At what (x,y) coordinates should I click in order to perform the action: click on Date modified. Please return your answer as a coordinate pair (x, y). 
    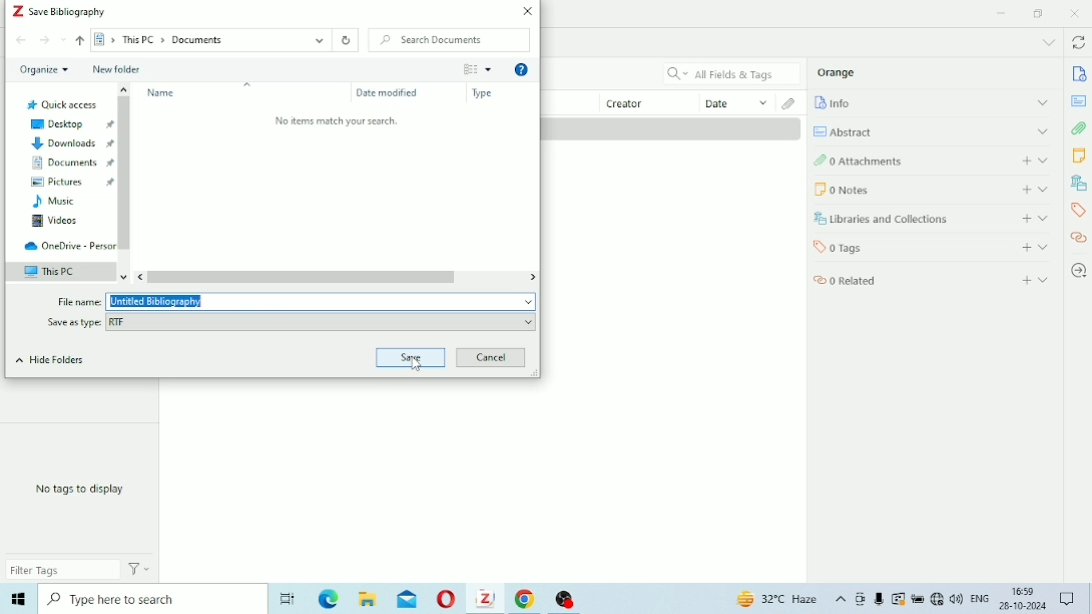
    Looking at the image, I should click on (388, 93).